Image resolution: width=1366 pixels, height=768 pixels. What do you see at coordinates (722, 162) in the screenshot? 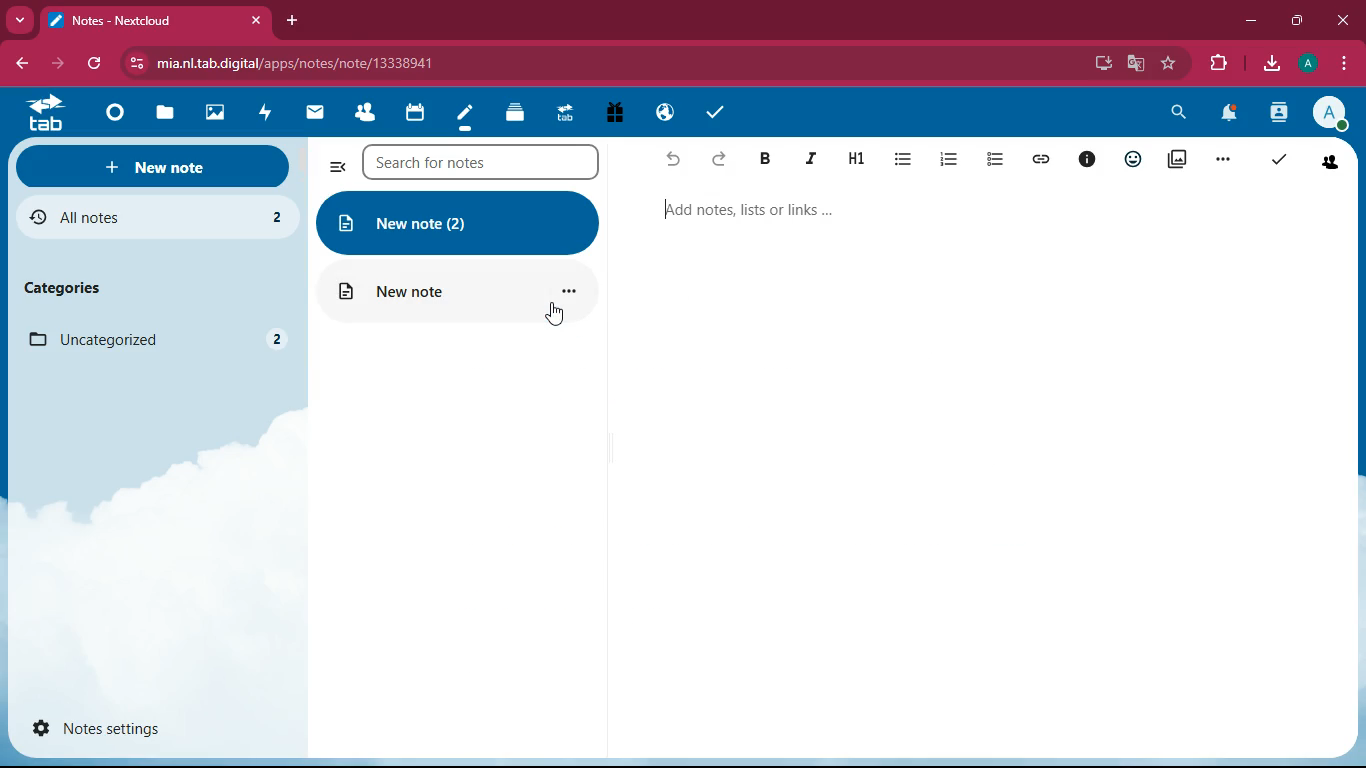
I see `forward` at bounding box center [722, 162].